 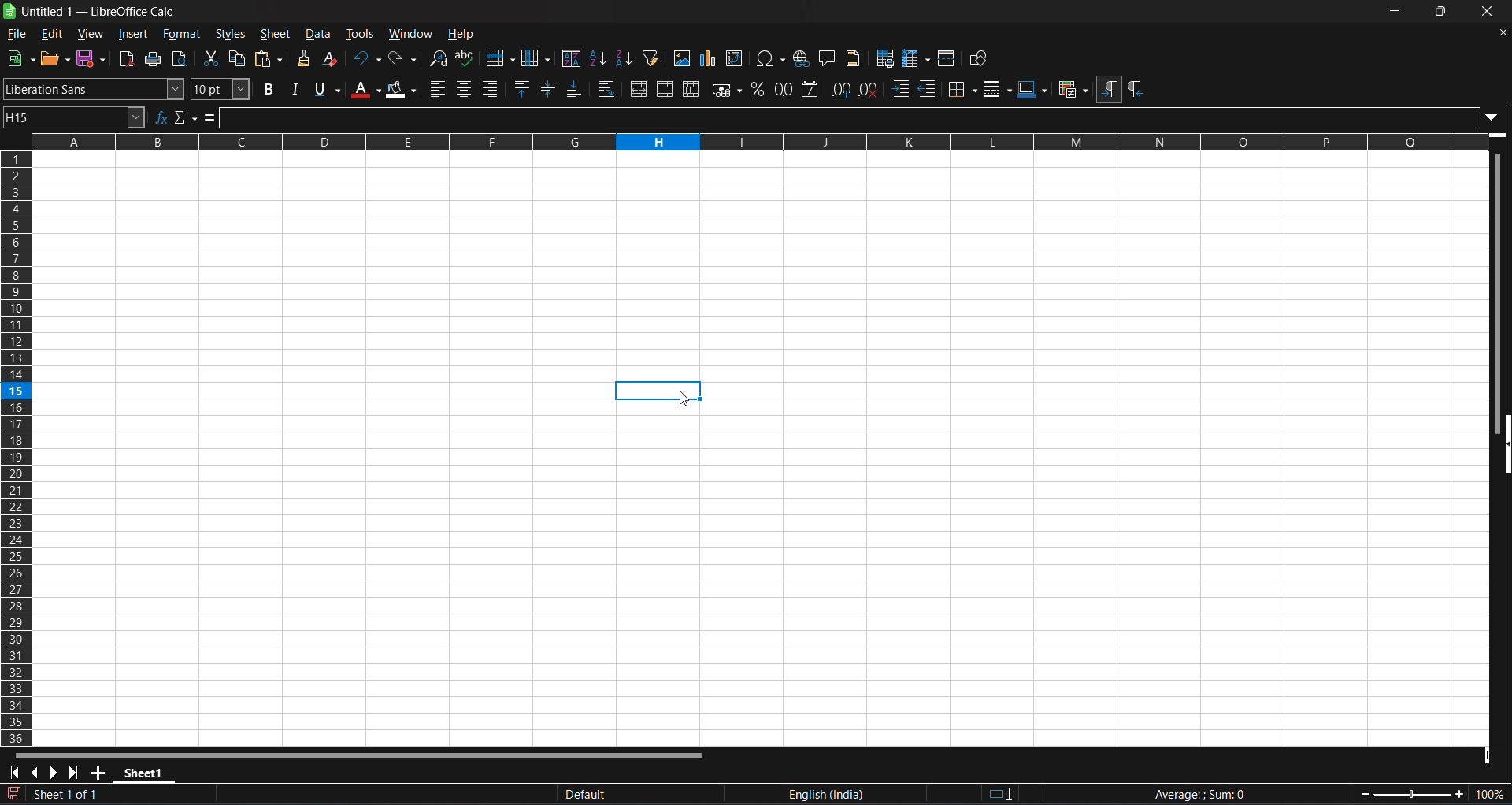 What do you see at coordinates (996, 89) in the screenshot?
I see `border styles` at bounding box center [996, 89].